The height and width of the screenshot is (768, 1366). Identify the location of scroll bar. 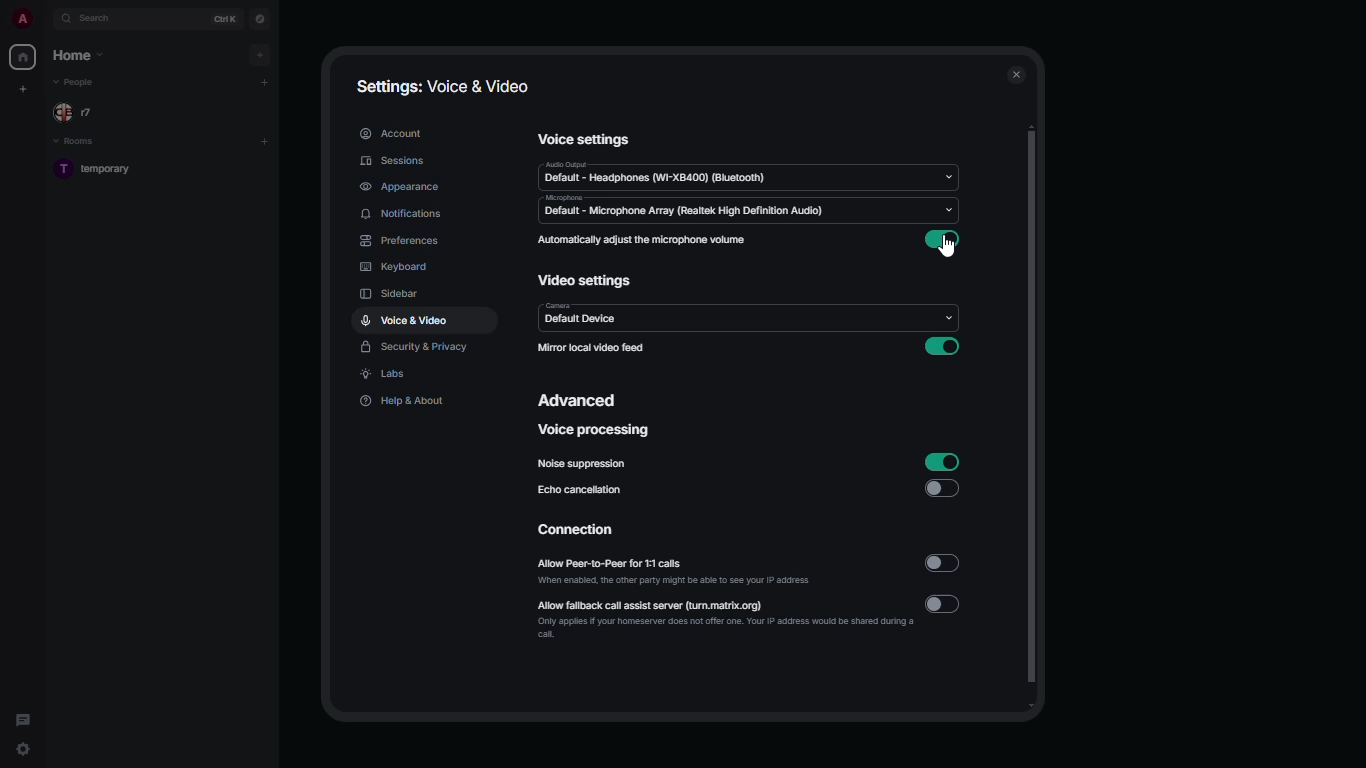
(1034, 414).